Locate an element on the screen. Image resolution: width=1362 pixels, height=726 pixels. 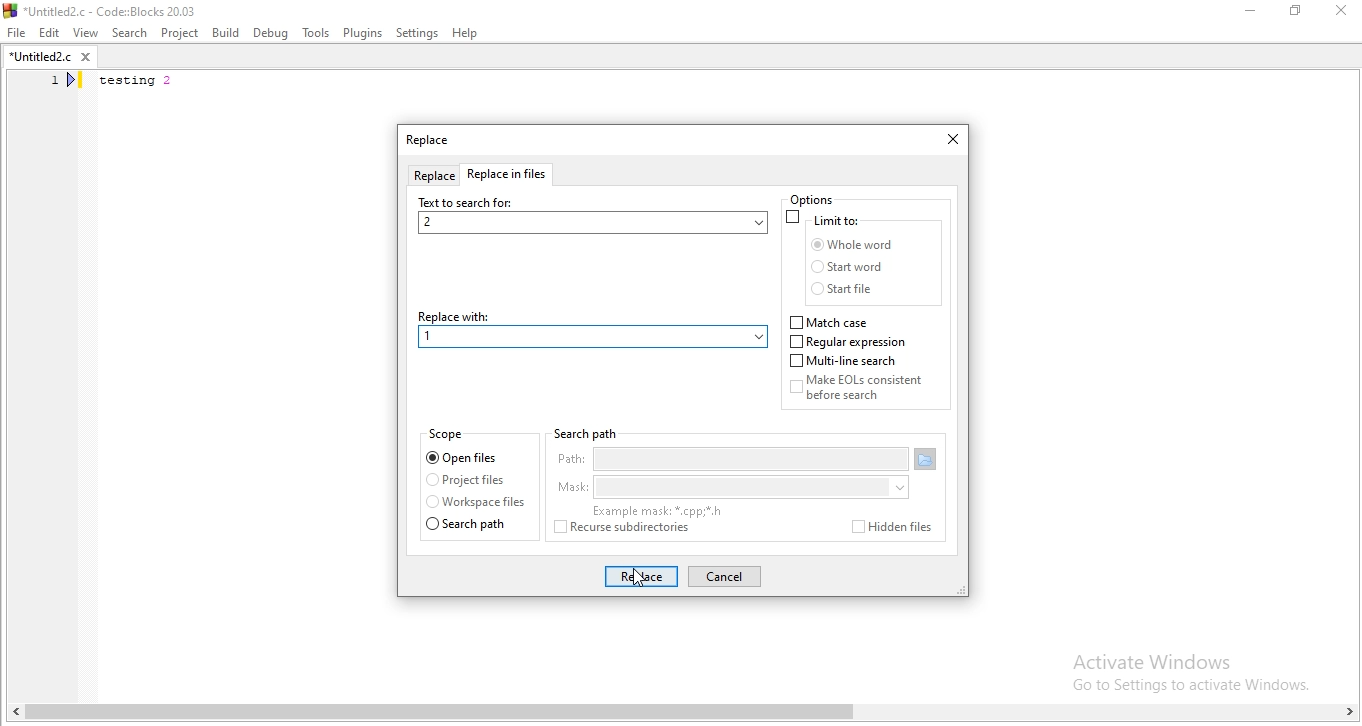
search path is located at coordinates (584, 434).